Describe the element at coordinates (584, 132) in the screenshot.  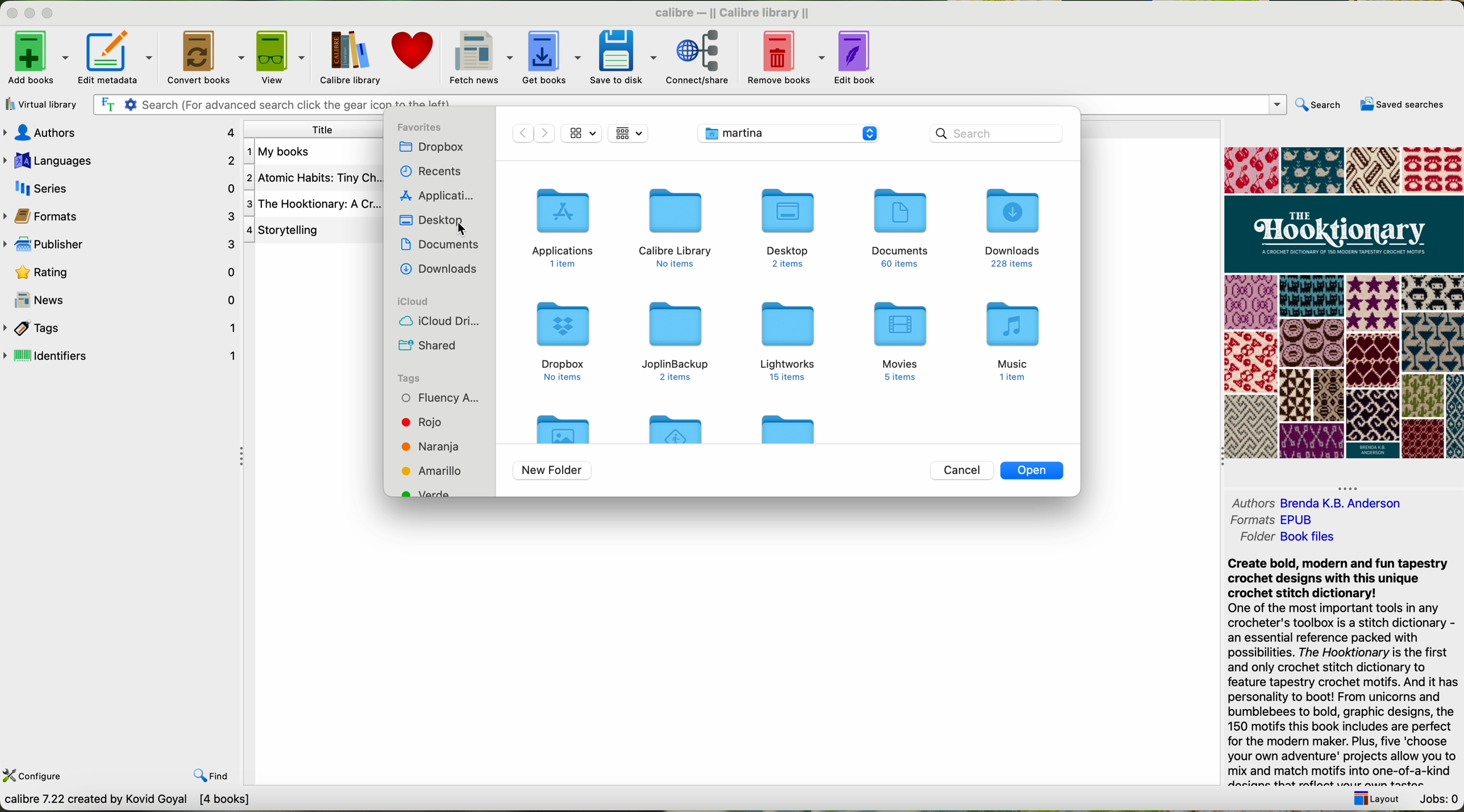
I see `icon size` at that location.